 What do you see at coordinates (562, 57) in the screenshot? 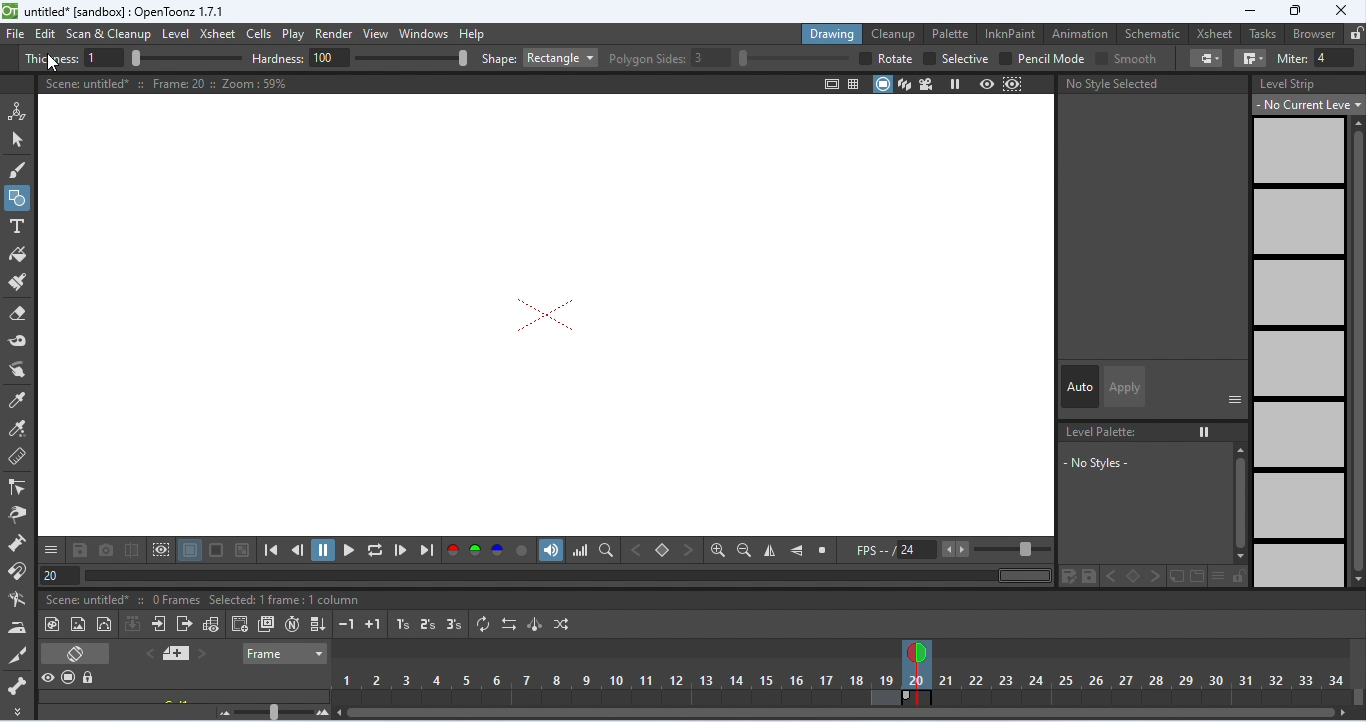
I see `rectangle` at bounding box center [562, 57].